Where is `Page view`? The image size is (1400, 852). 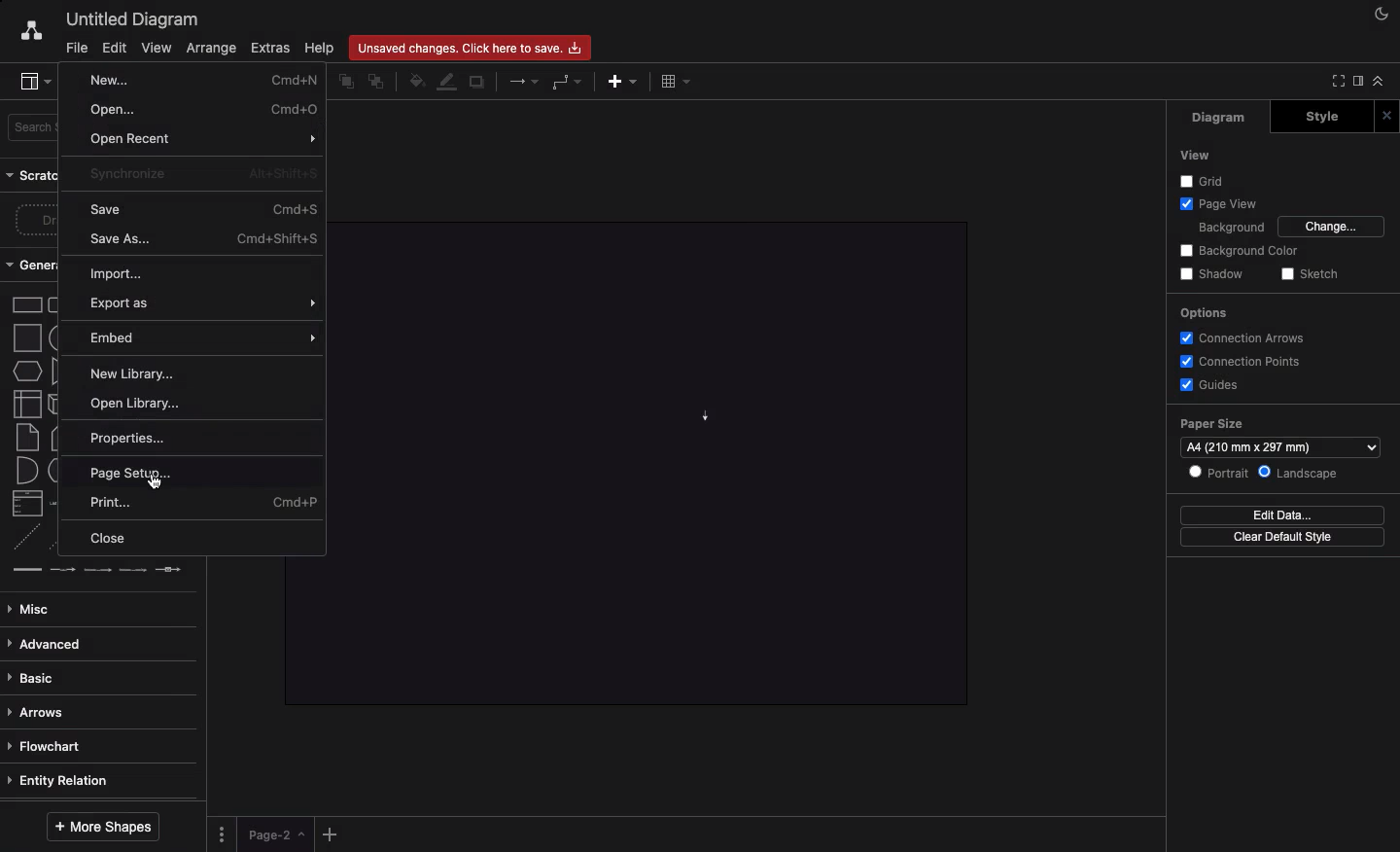
Page view is located at coordinates (1215, 202).